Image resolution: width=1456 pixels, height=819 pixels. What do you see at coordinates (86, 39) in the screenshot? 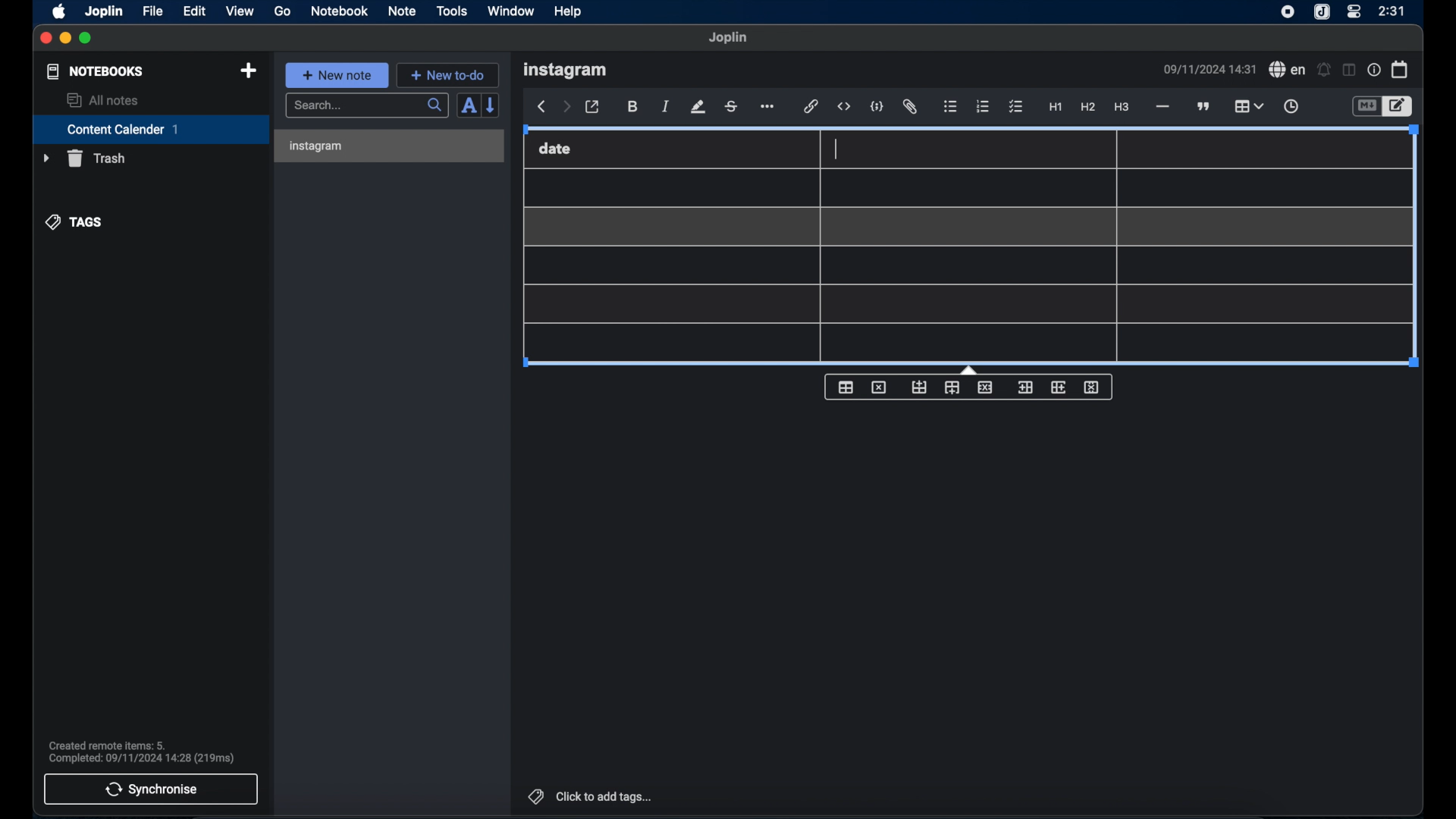
I see `maximize` at bounding box center [86, 39].